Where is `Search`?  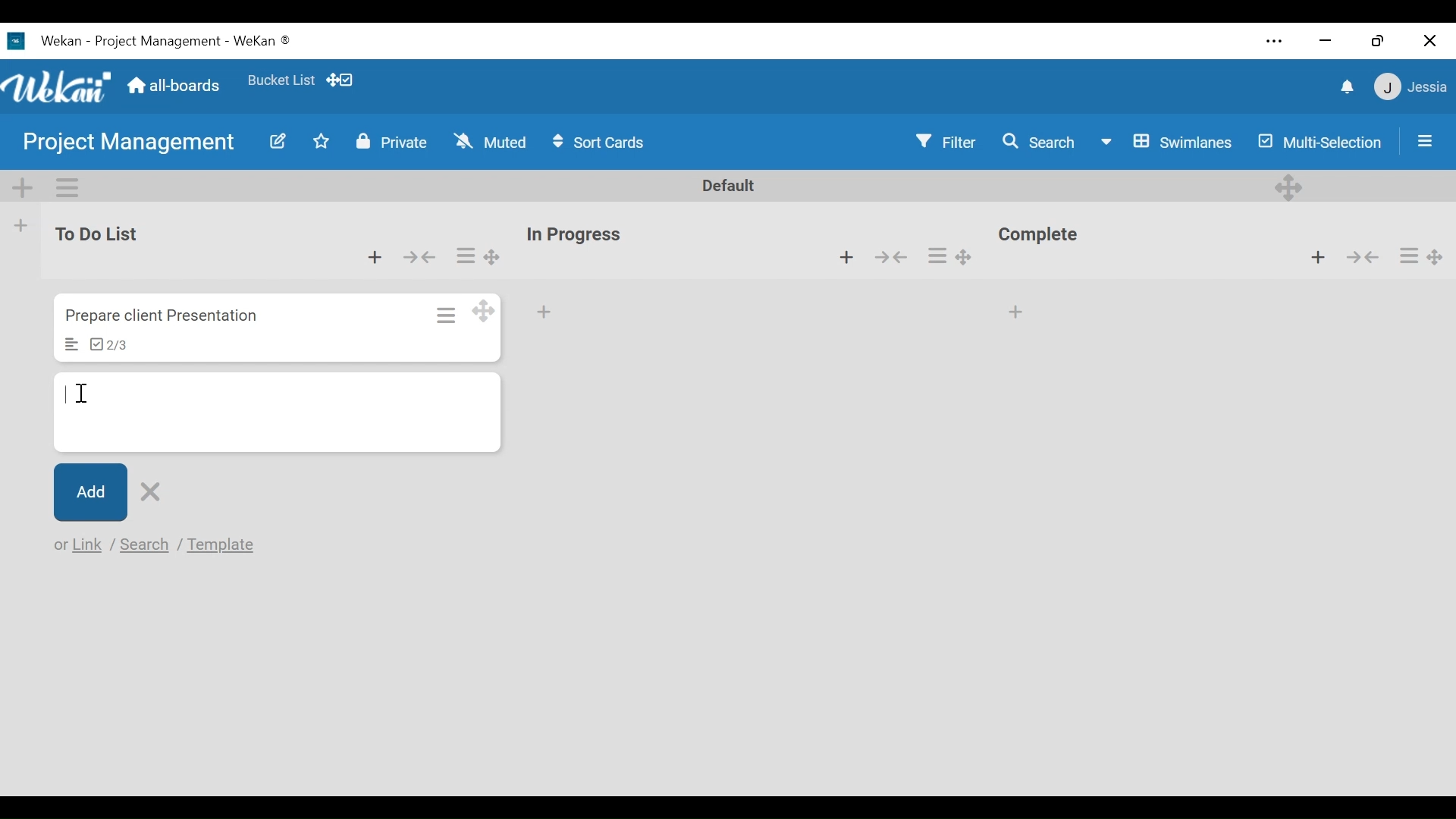
Search is located at coordinates (1036, 142).